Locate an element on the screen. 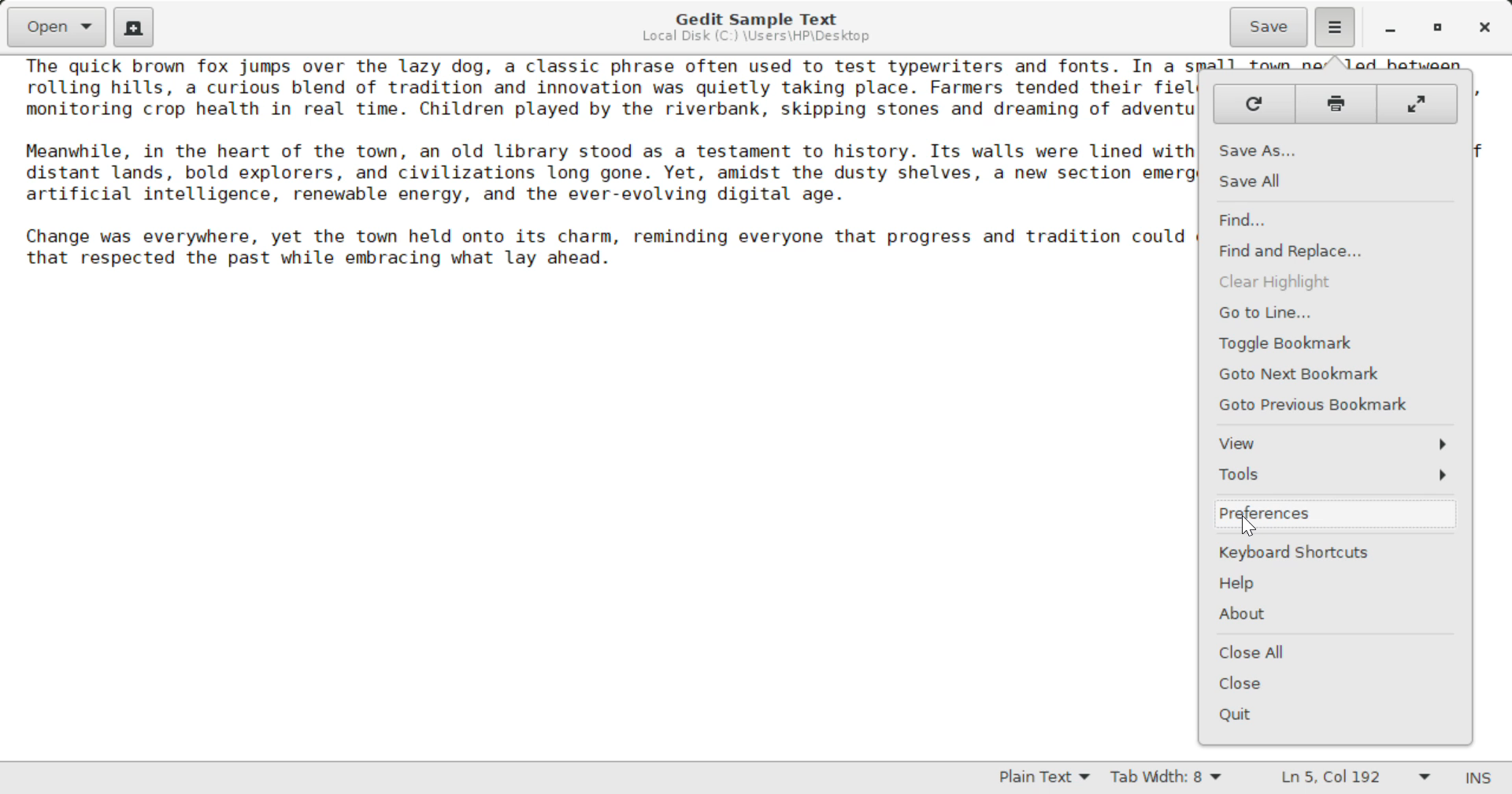 The image size is (1512, 794). Refresh is located at coordinates (1258, 103).